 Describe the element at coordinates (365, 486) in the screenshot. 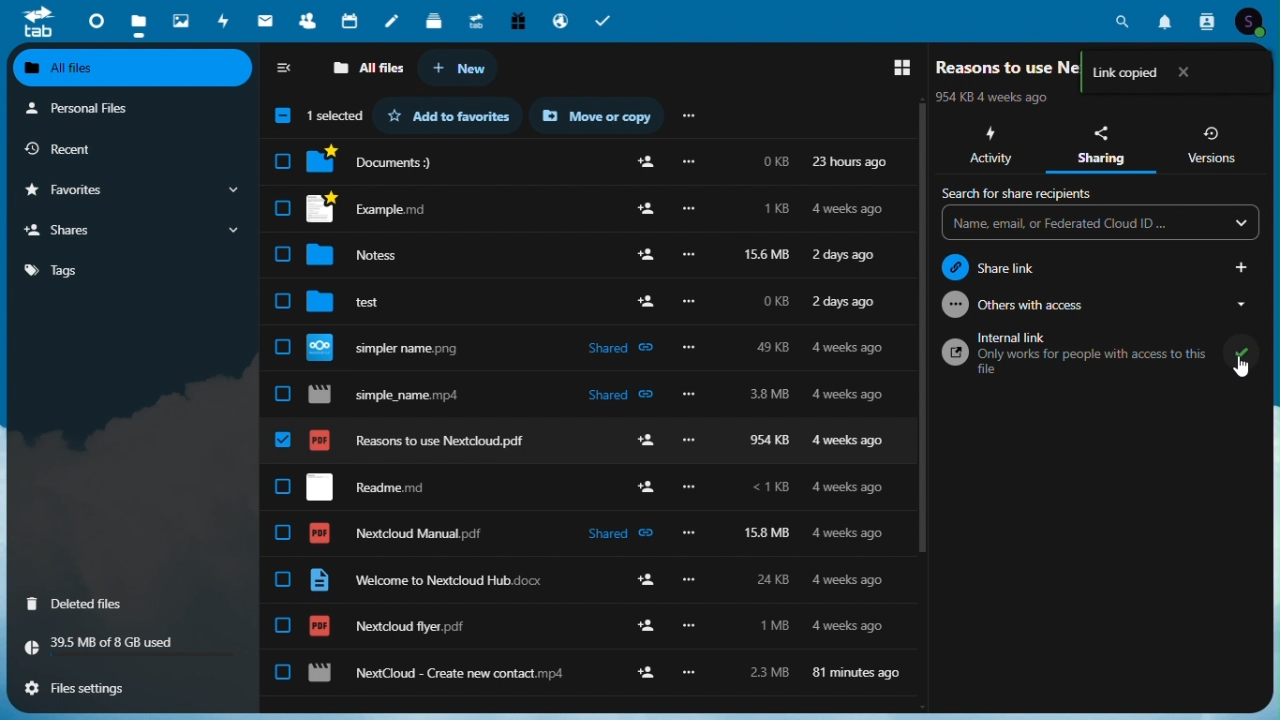

I see `readme.md` at that location.